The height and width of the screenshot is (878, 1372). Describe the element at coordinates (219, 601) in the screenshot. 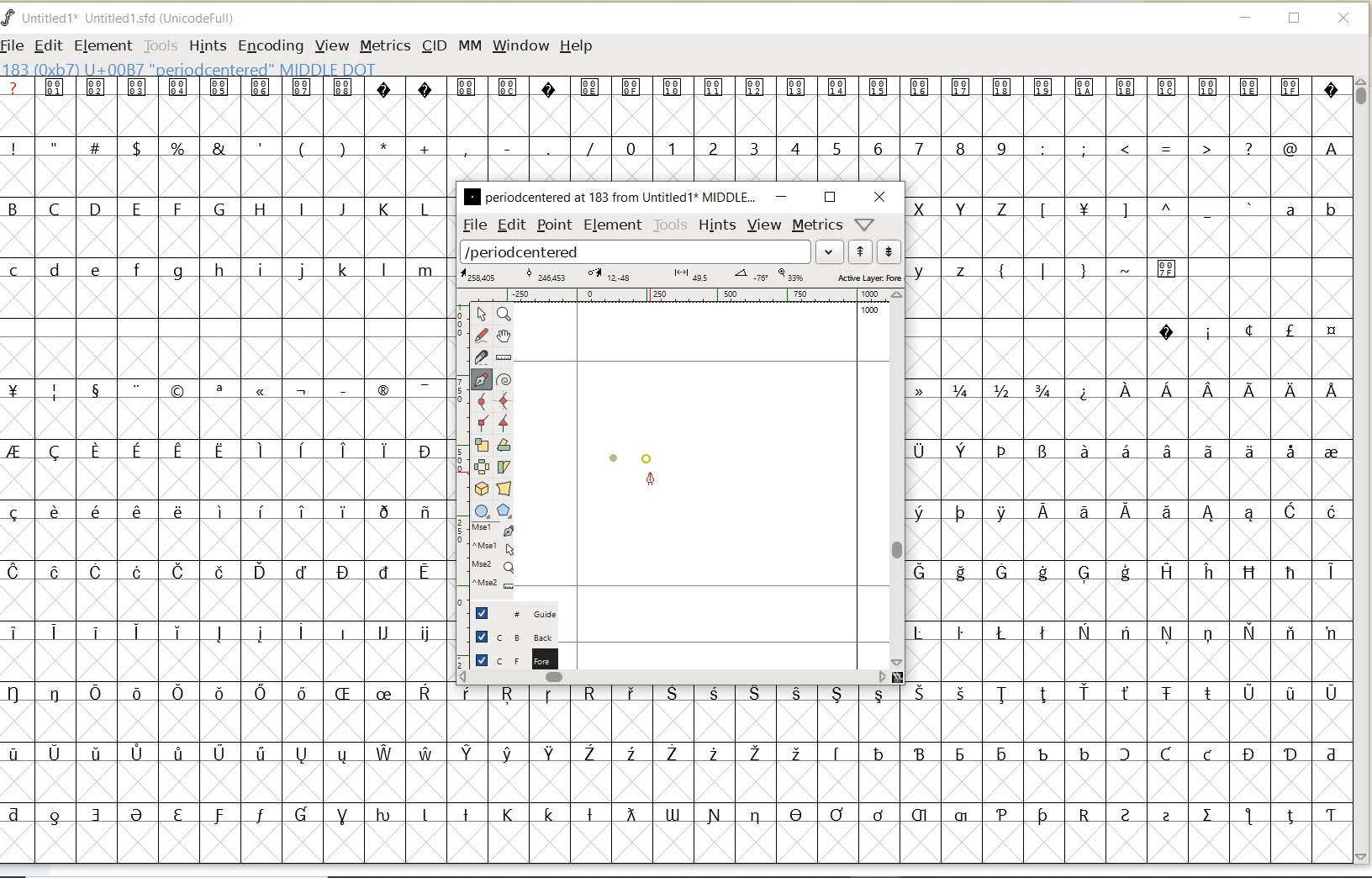

I see `special characters` at that location.